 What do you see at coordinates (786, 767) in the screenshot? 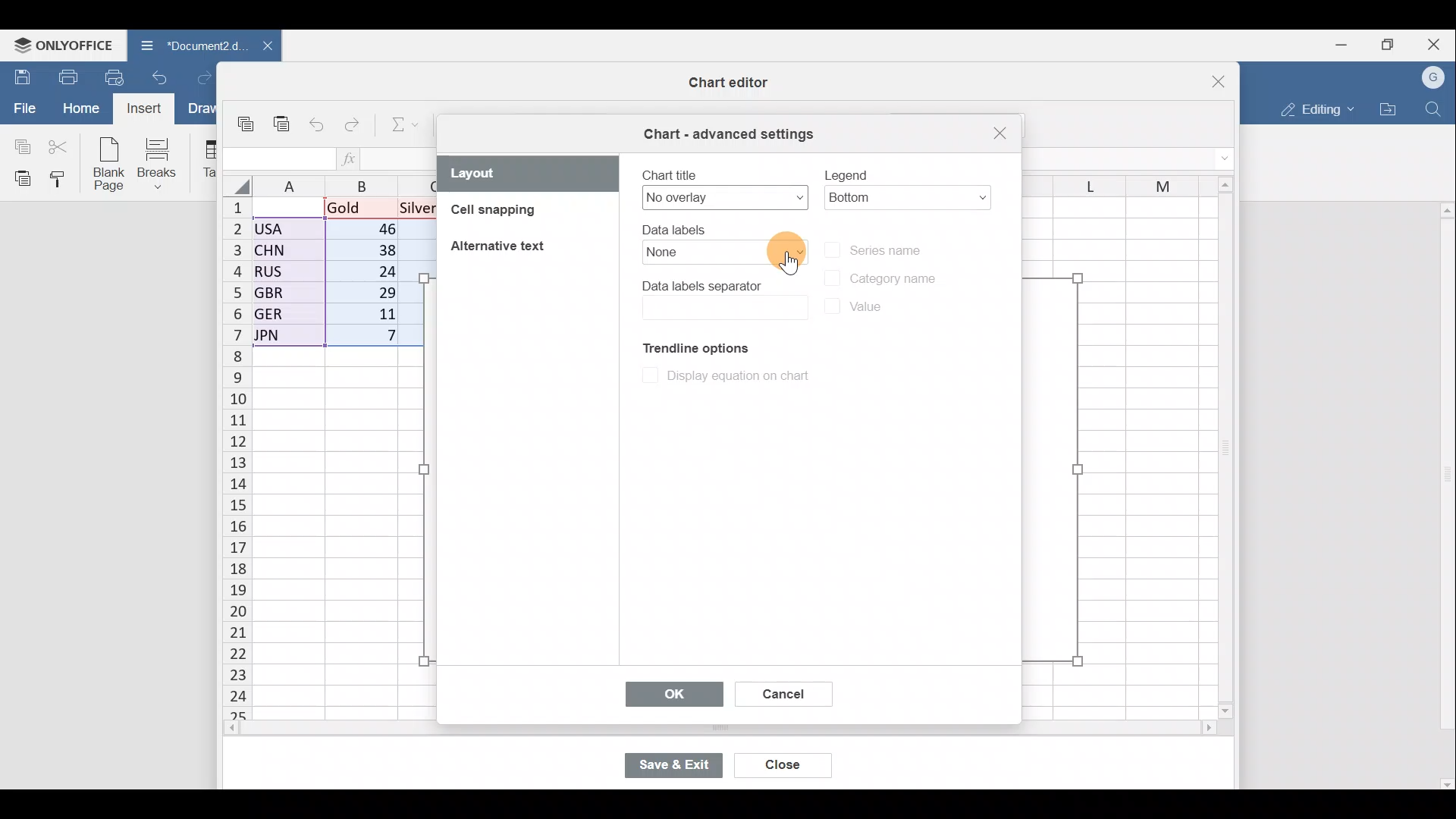
I see `Close` at bounding box center [786, 767].